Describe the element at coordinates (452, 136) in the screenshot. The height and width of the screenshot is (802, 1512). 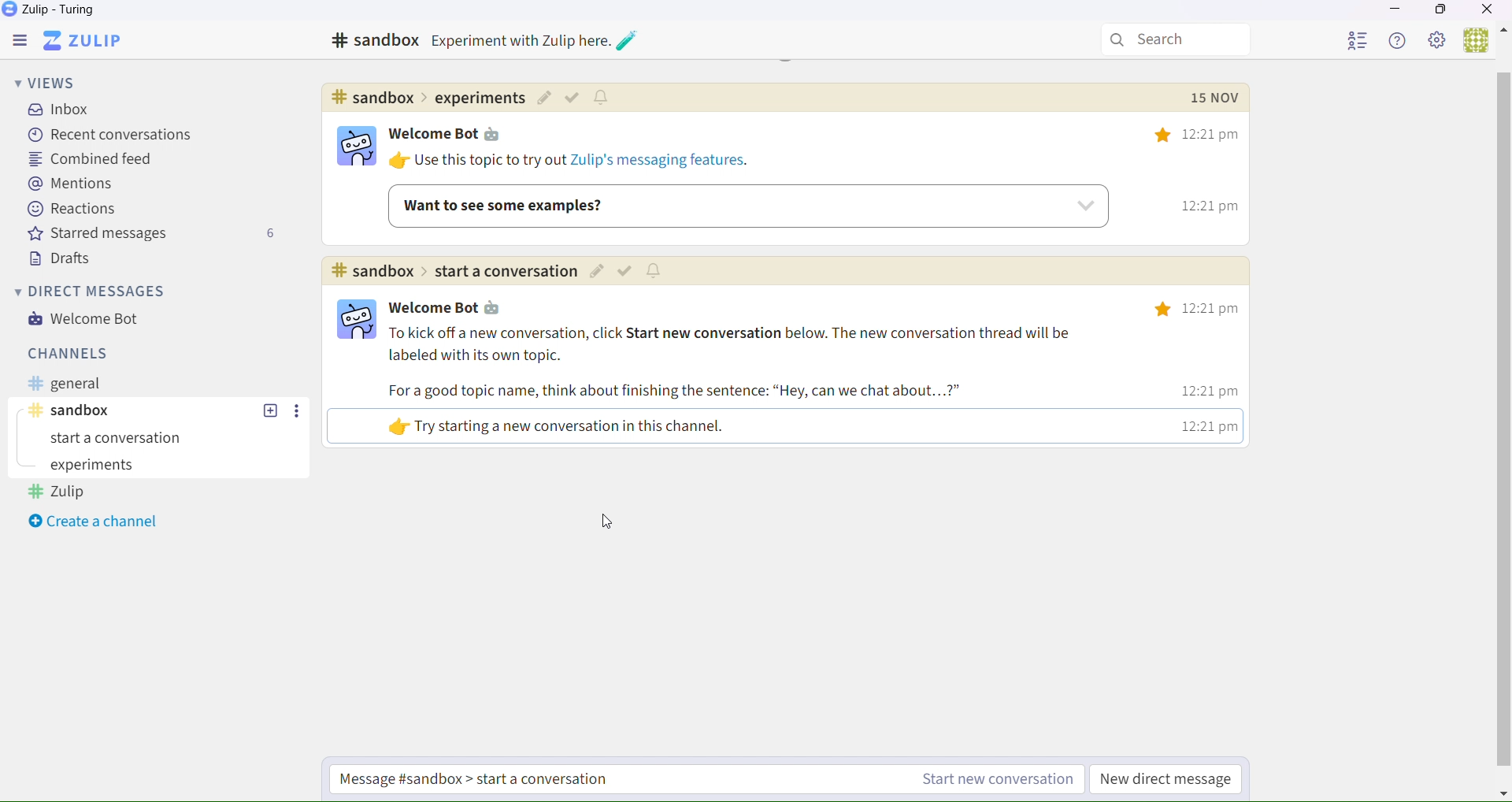
I see `Welcome bot` at that location.